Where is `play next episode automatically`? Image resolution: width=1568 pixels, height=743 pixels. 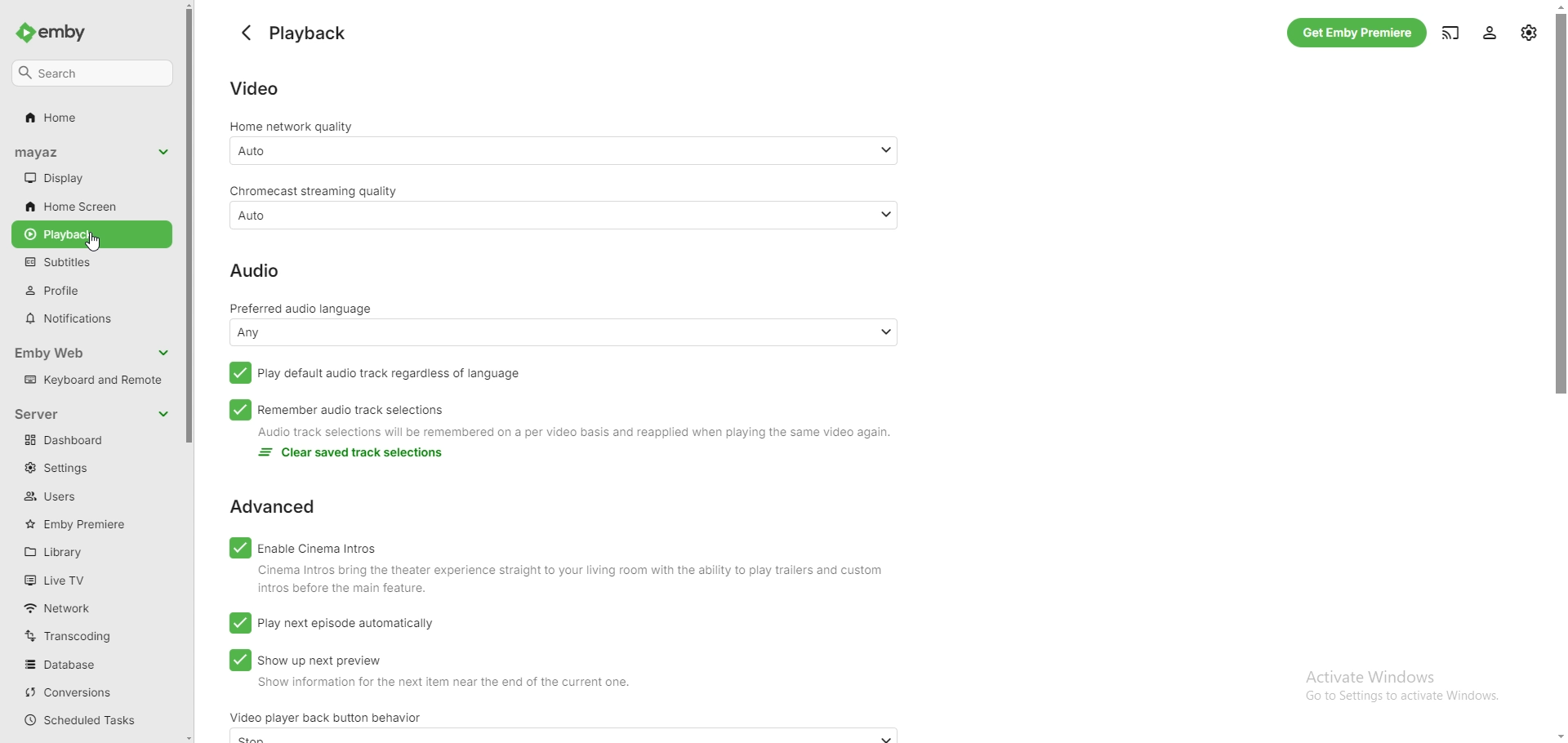
play next episode automatically is located at coordinates (332, 623).